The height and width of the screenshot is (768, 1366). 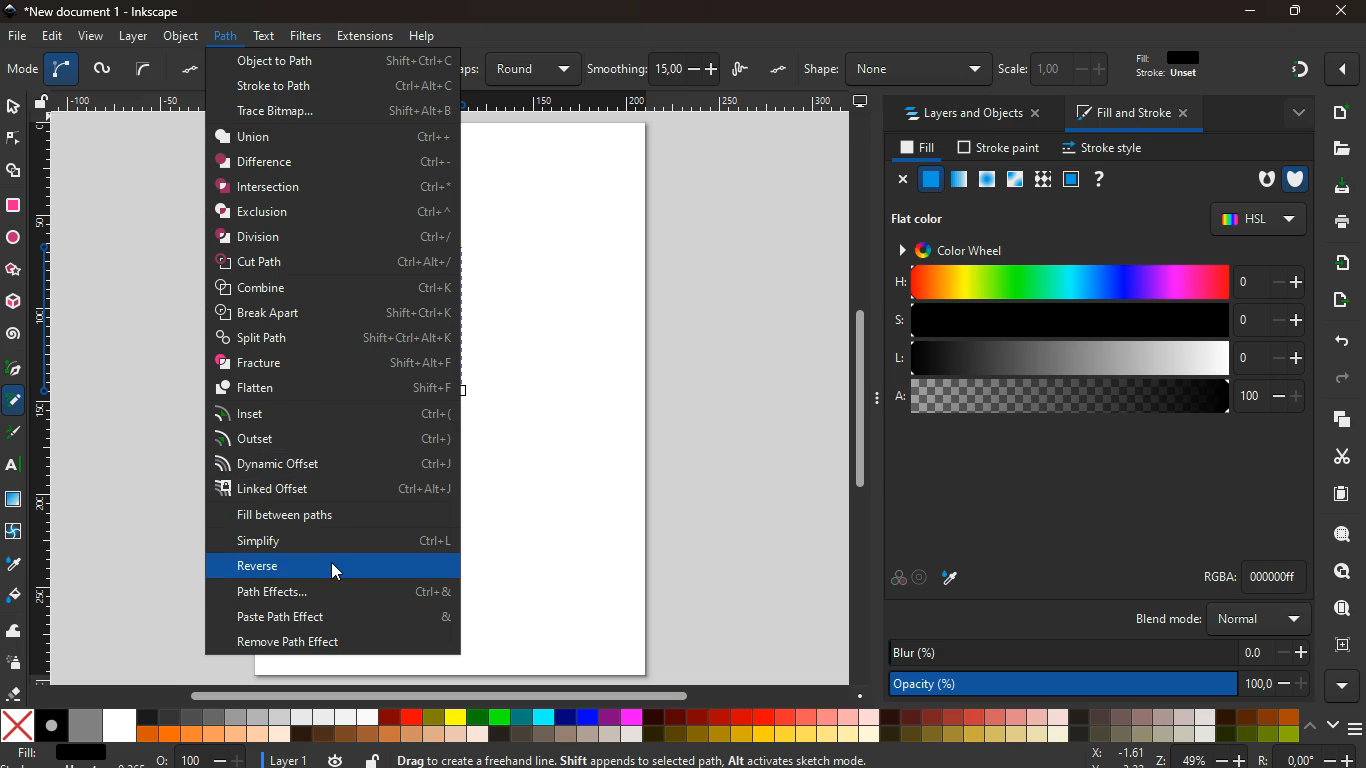 I want to click on union, so click(x=333, y=136).